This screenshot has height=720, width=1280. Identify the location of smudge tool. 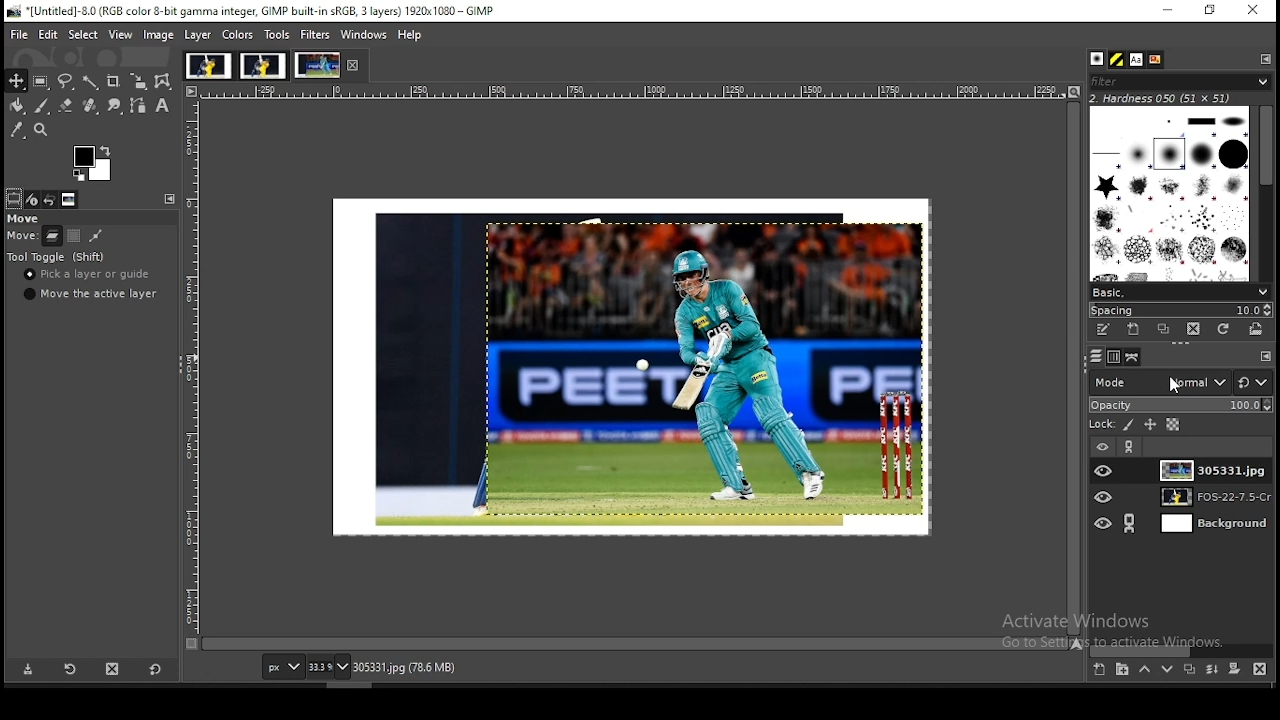
(114, 105).